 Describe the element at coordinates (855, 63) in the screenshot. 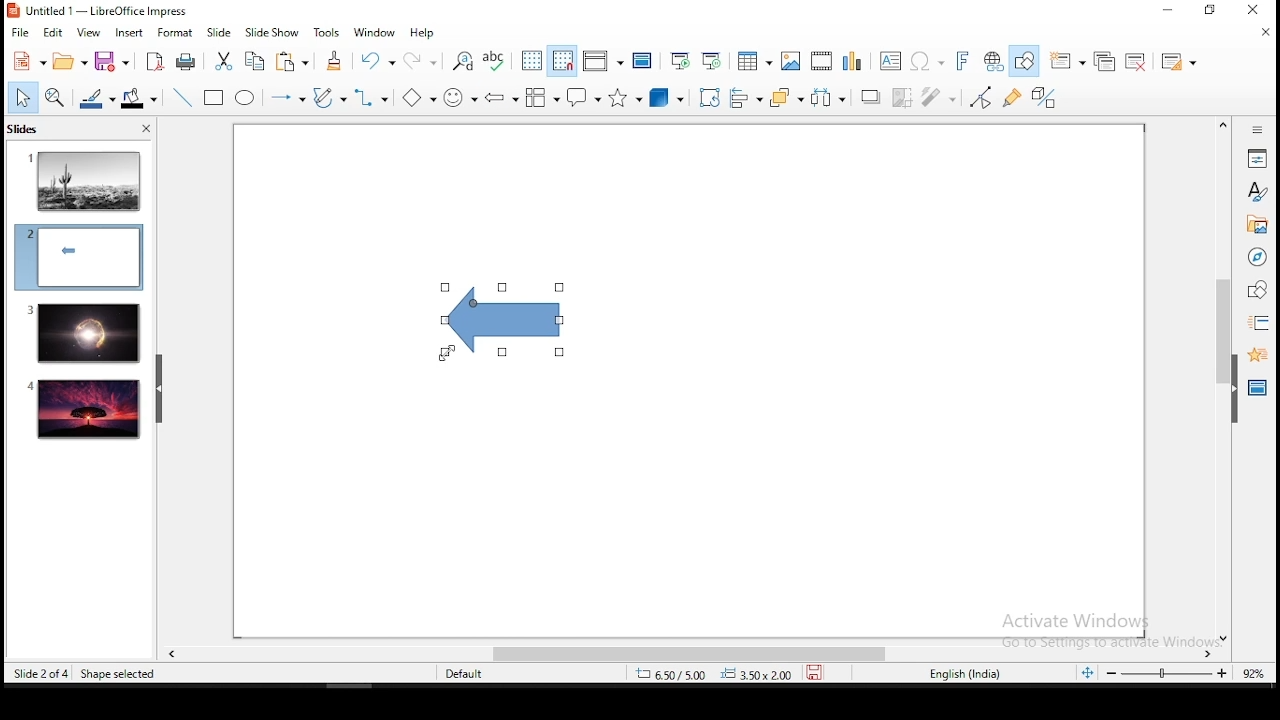

I see `charts` at that location.